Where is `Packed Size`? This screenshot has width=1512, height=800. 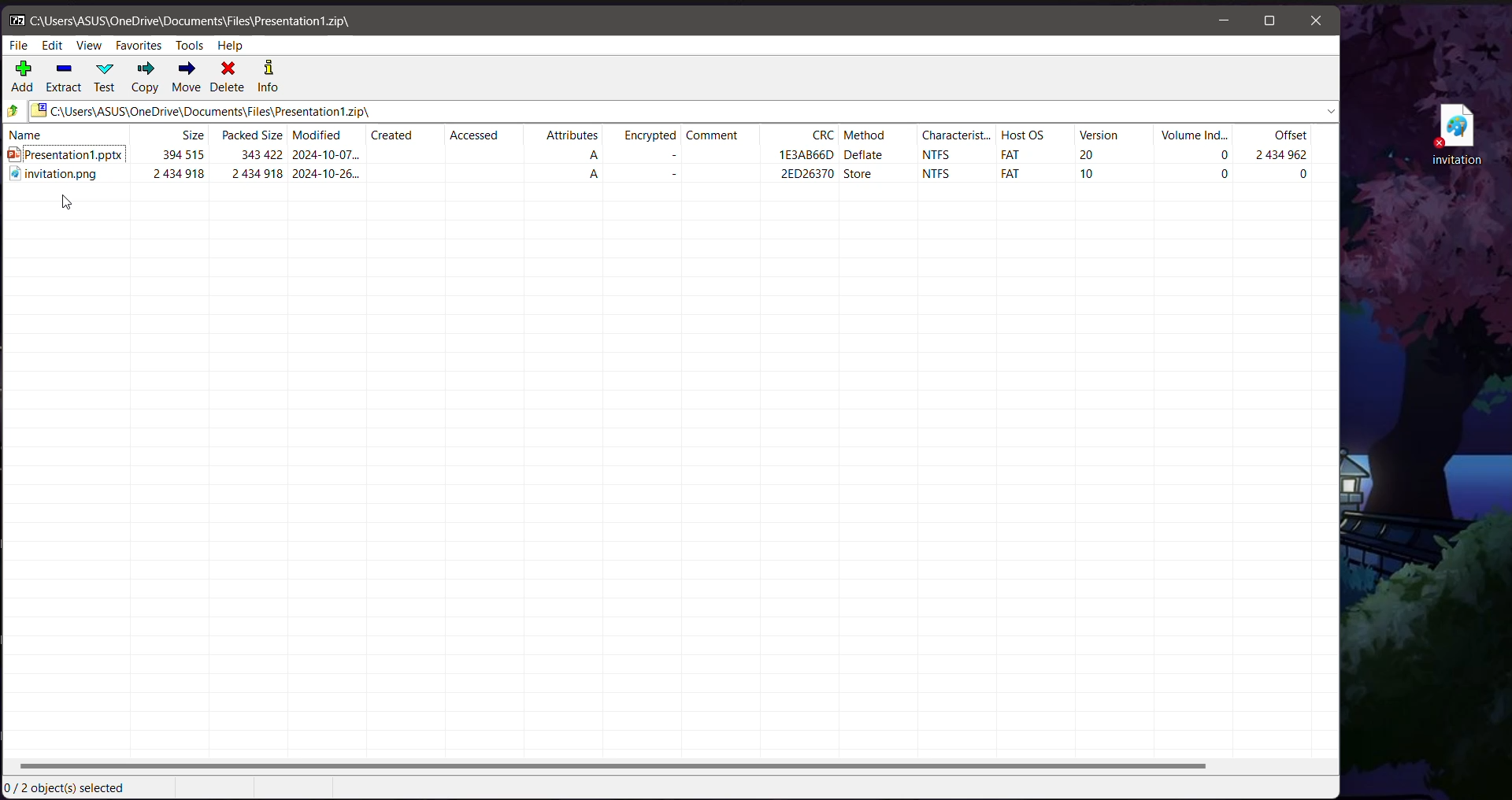 Packed Size is located at coordinates (252, 135).